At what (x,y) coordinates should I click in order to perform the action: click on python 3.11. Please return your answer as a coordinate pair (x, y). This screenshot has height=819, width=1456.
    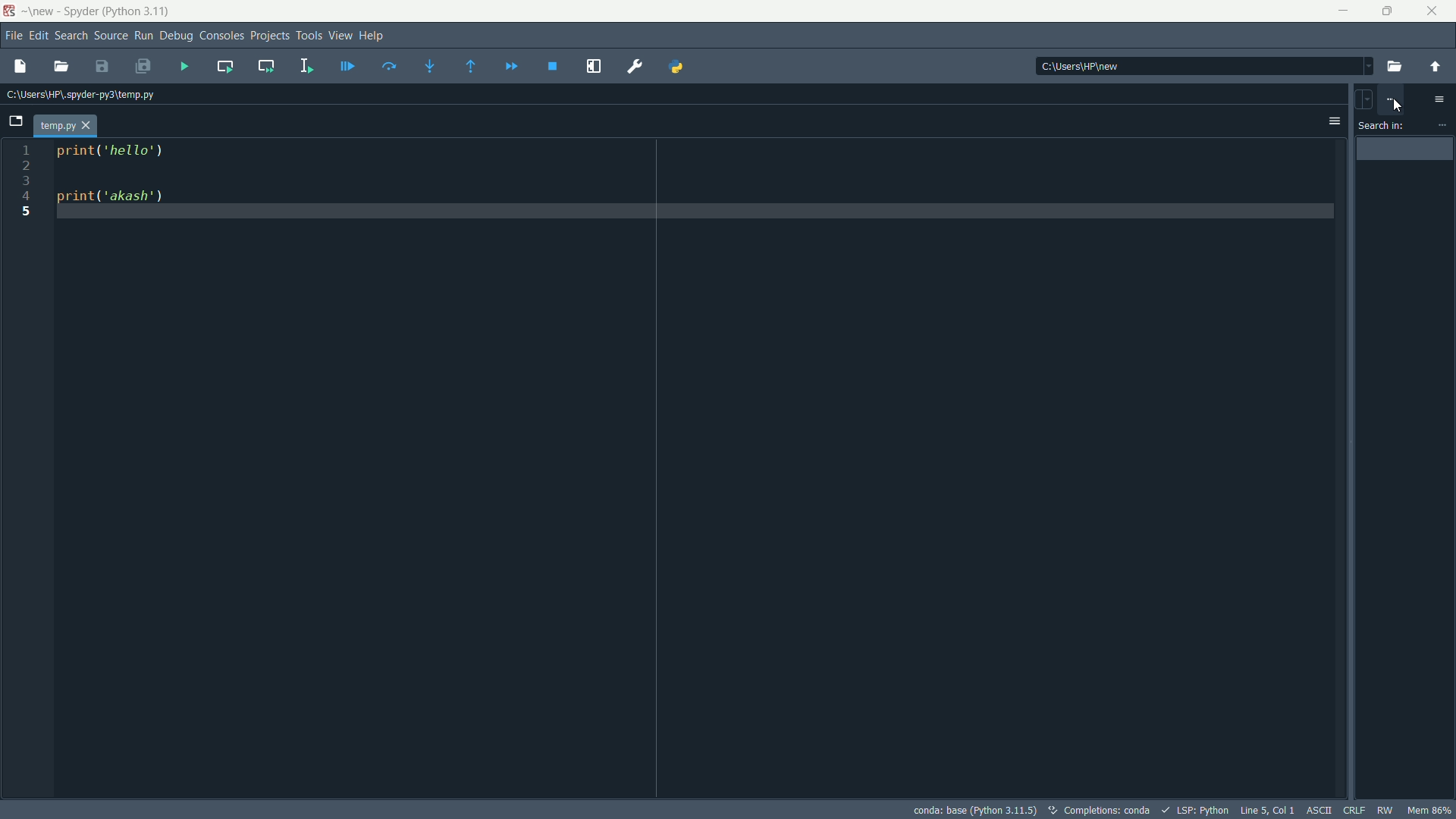
    Looking at the image, I should click on (140, 11).